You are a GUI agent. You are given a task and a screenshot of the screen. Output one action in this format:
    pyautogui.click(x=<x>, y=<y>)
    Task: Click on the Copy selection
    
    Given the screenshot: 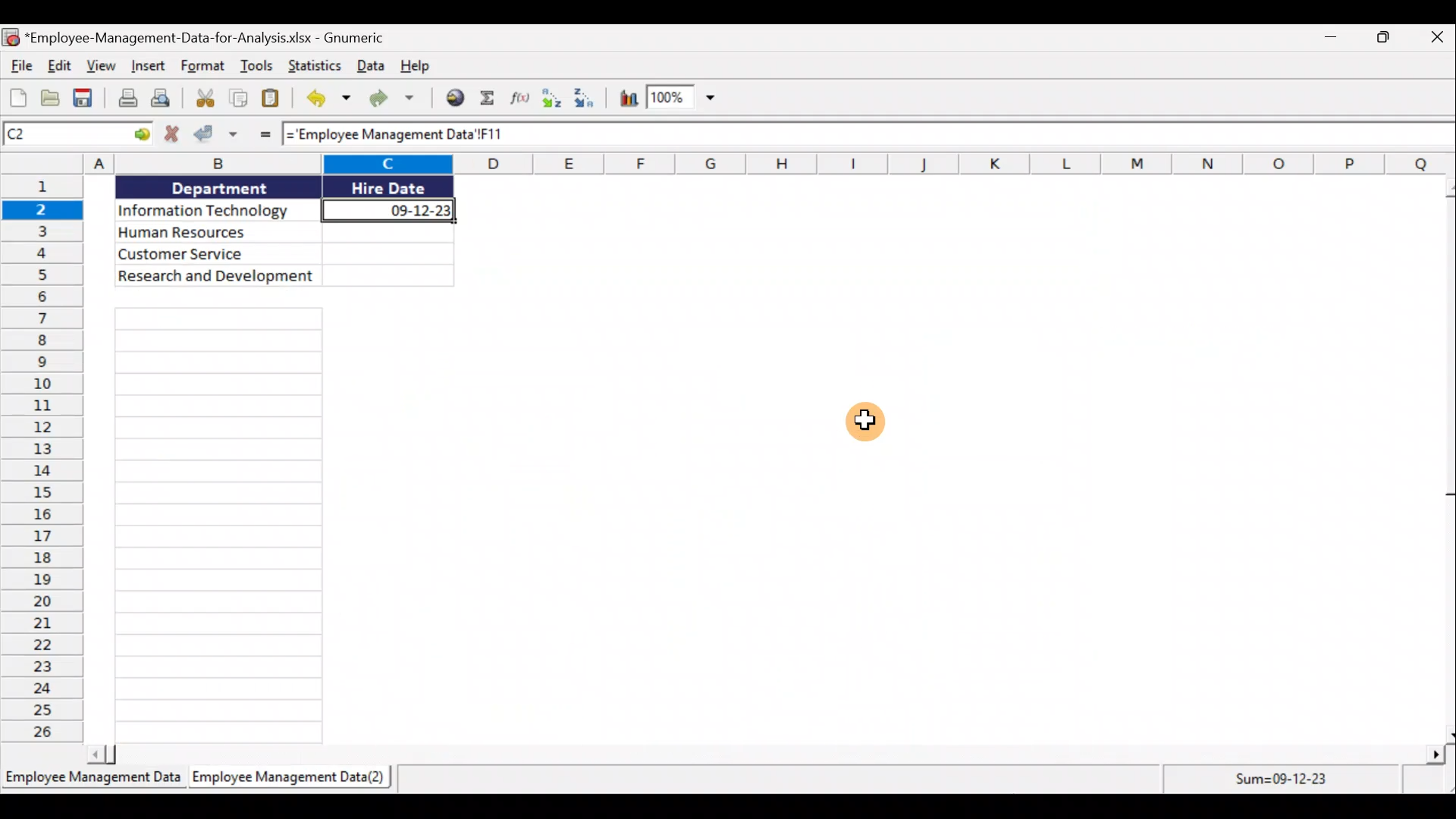 What is the action you would take?
    pyautogui.click(x=238, y=101)
    